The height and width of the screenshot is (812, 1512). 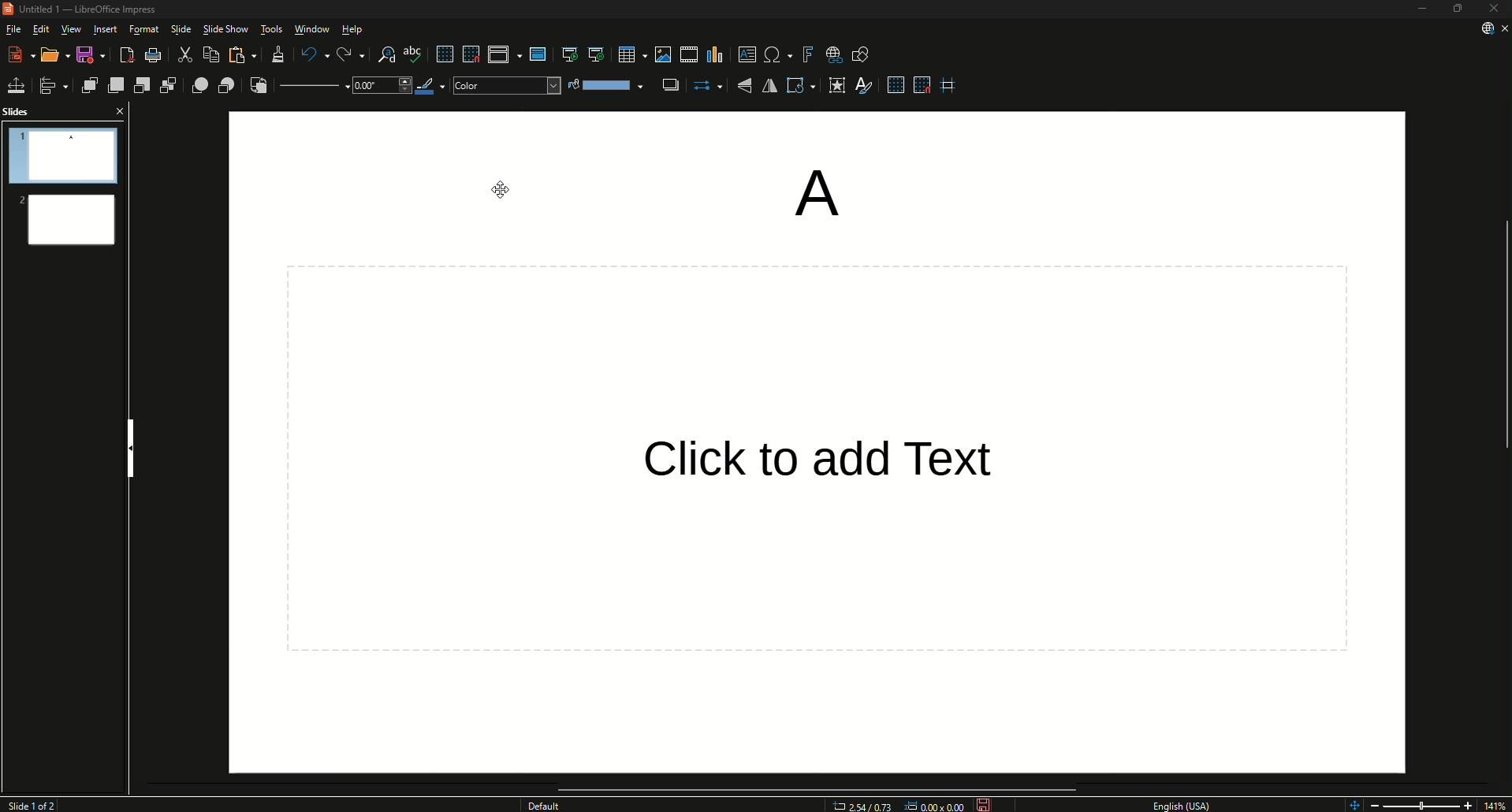 I want to click on Restore, so click(x=1459, y=9).